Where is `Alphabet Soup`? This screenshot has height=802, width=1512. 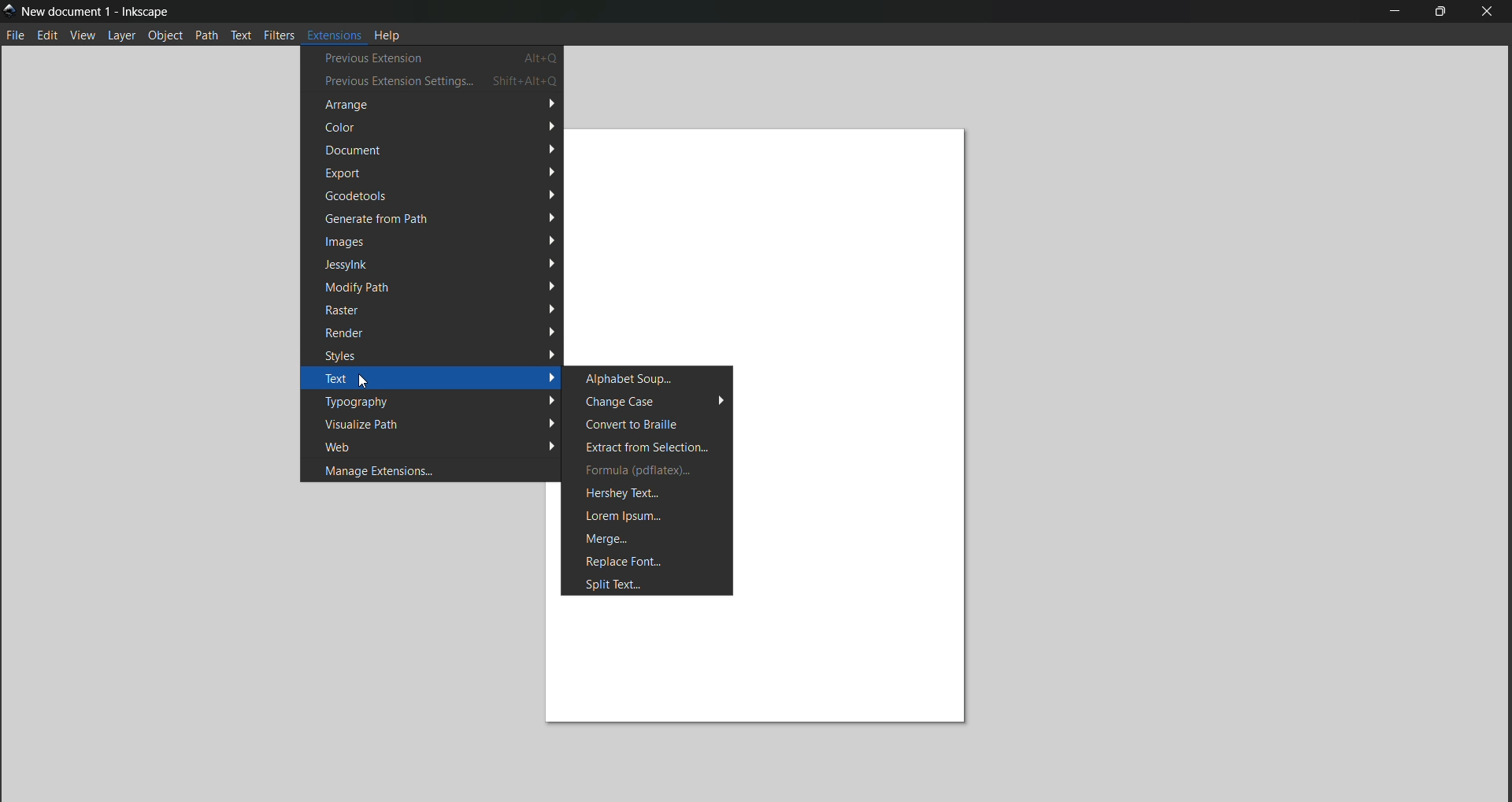 Alphabet Soup is located at coordinates (649, 378).